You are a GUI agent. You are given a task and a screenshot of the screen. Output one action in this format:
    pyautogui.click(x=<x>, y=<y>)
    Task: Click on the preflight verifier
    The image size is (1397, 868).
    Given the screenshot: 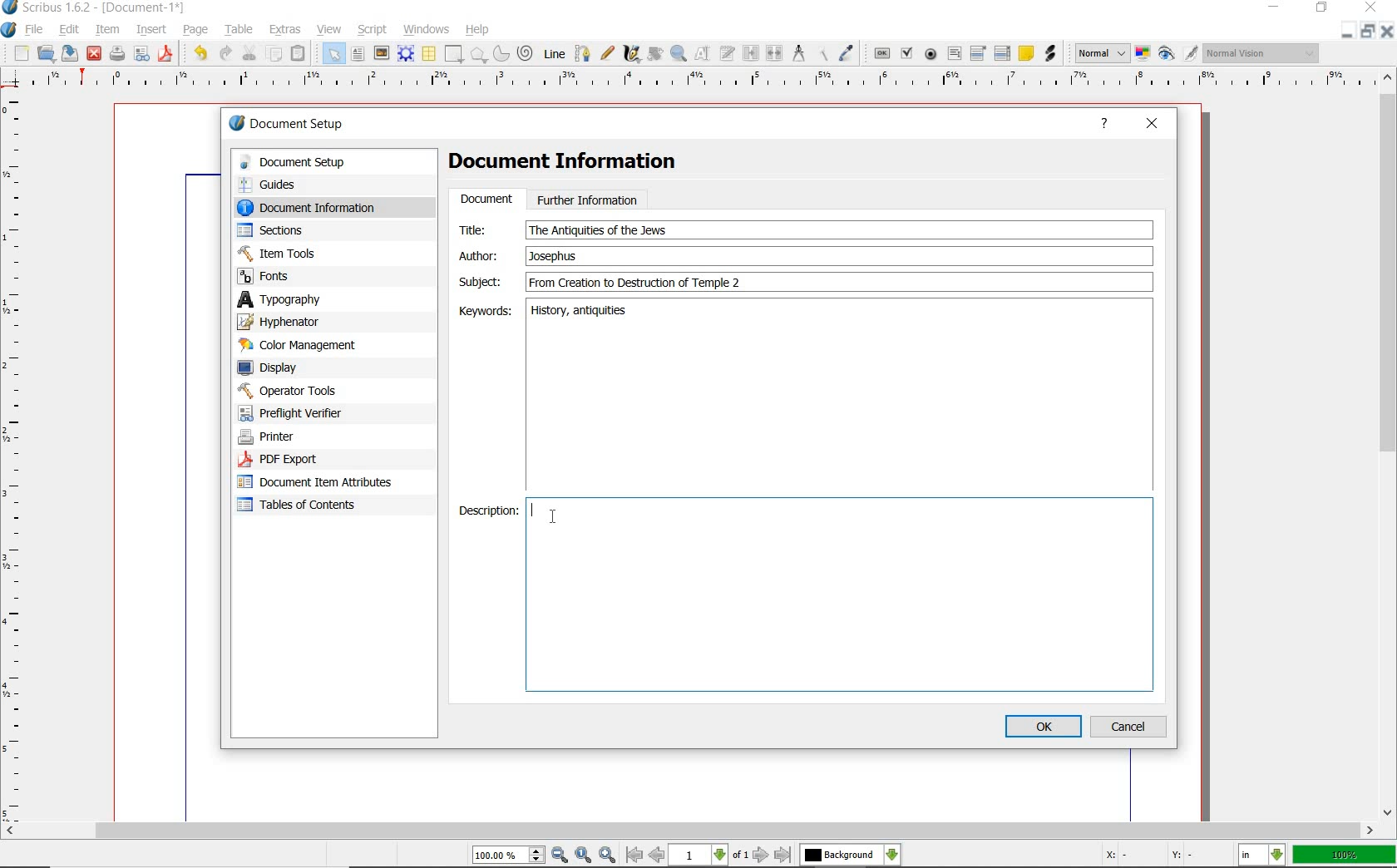 What is the action you would take?
    pyautogui.click(x=141, y=55)
    